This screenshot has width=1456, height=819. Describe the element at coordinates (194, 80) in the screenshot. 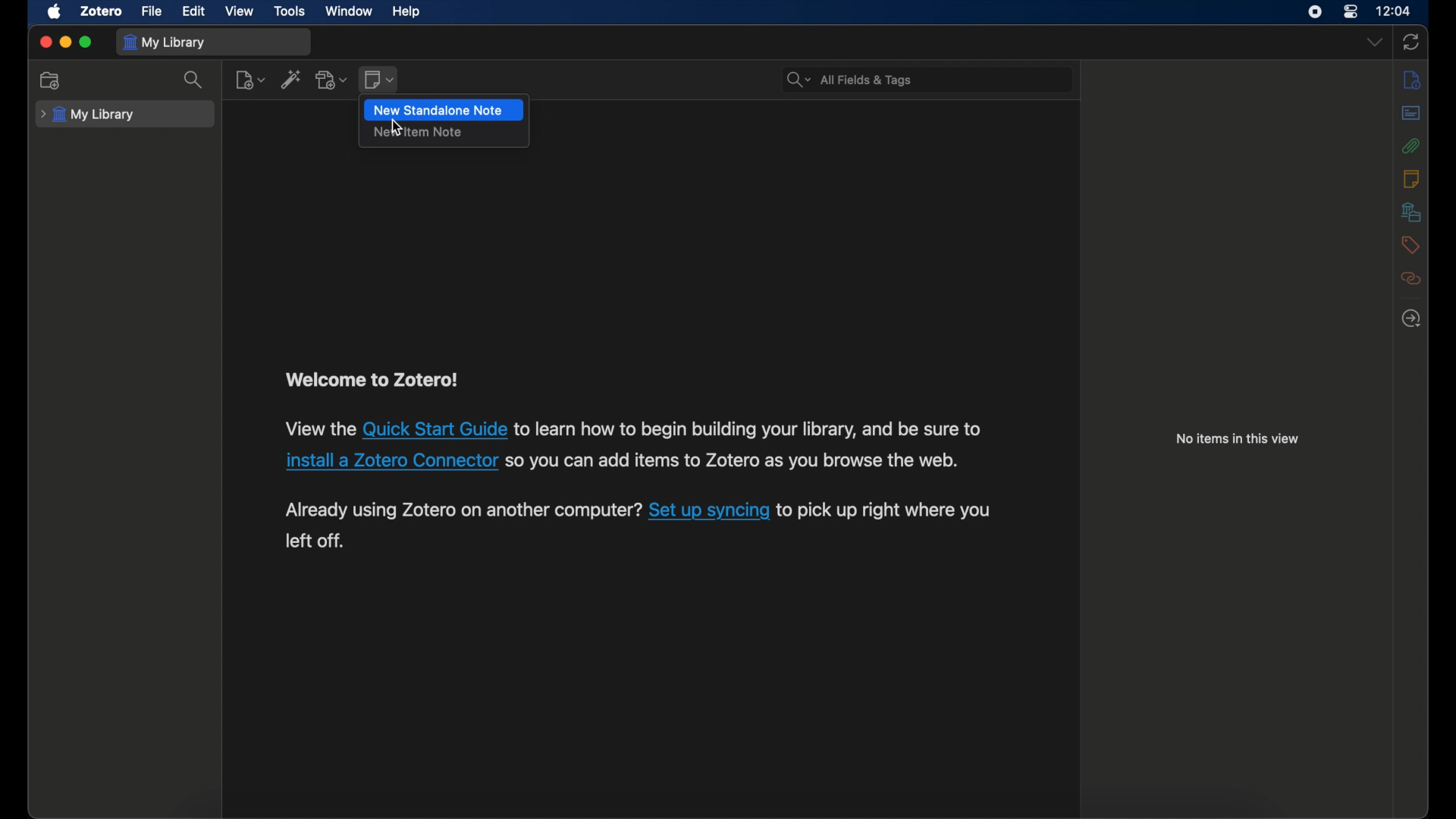

I see `search` at that location.